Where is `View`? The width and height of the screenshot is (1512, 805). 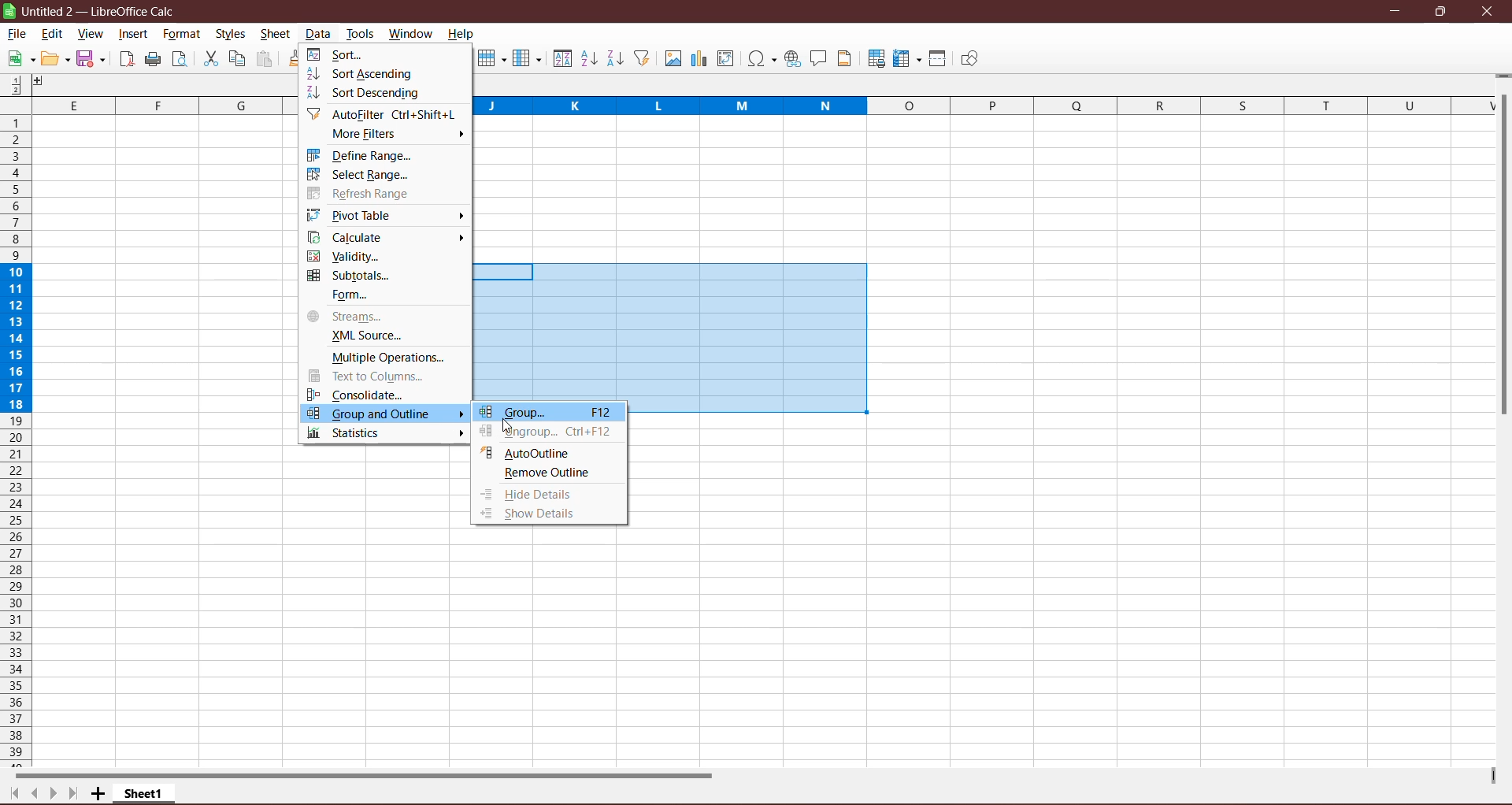 View is located at coordinates (89, 35).